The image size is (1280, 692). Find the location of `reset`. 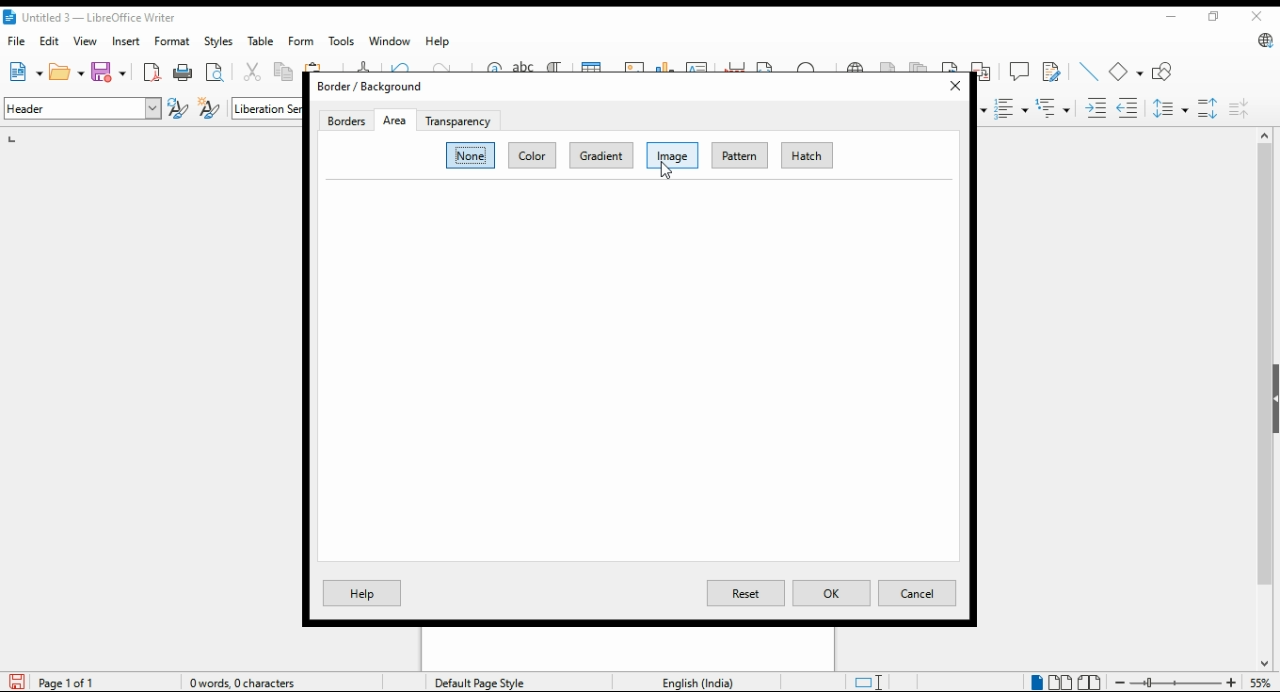

reset is located at coordinates (746, 592).